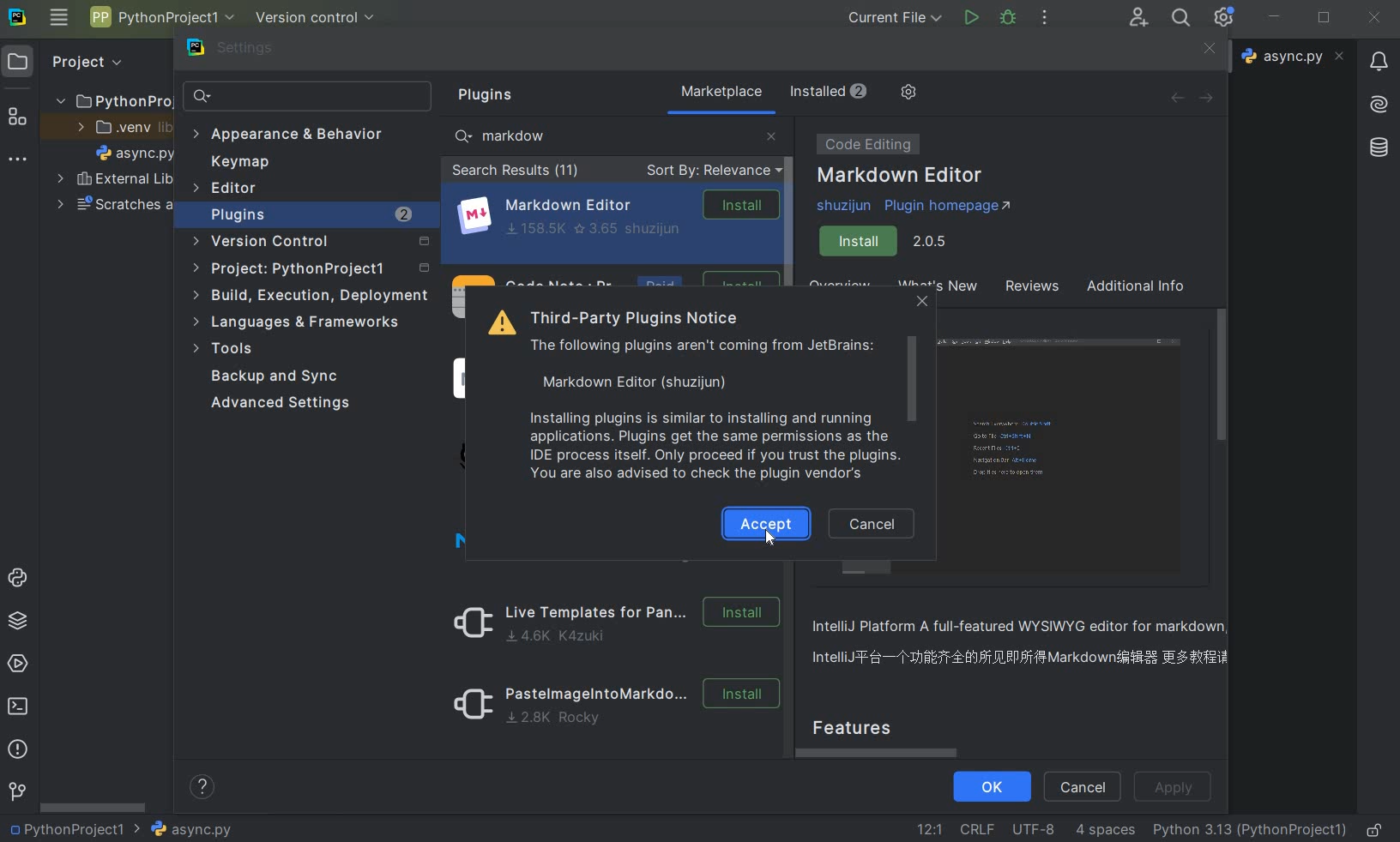 This screenshot has width=1400, height=842. I want to click on structure, so click(18, 114).